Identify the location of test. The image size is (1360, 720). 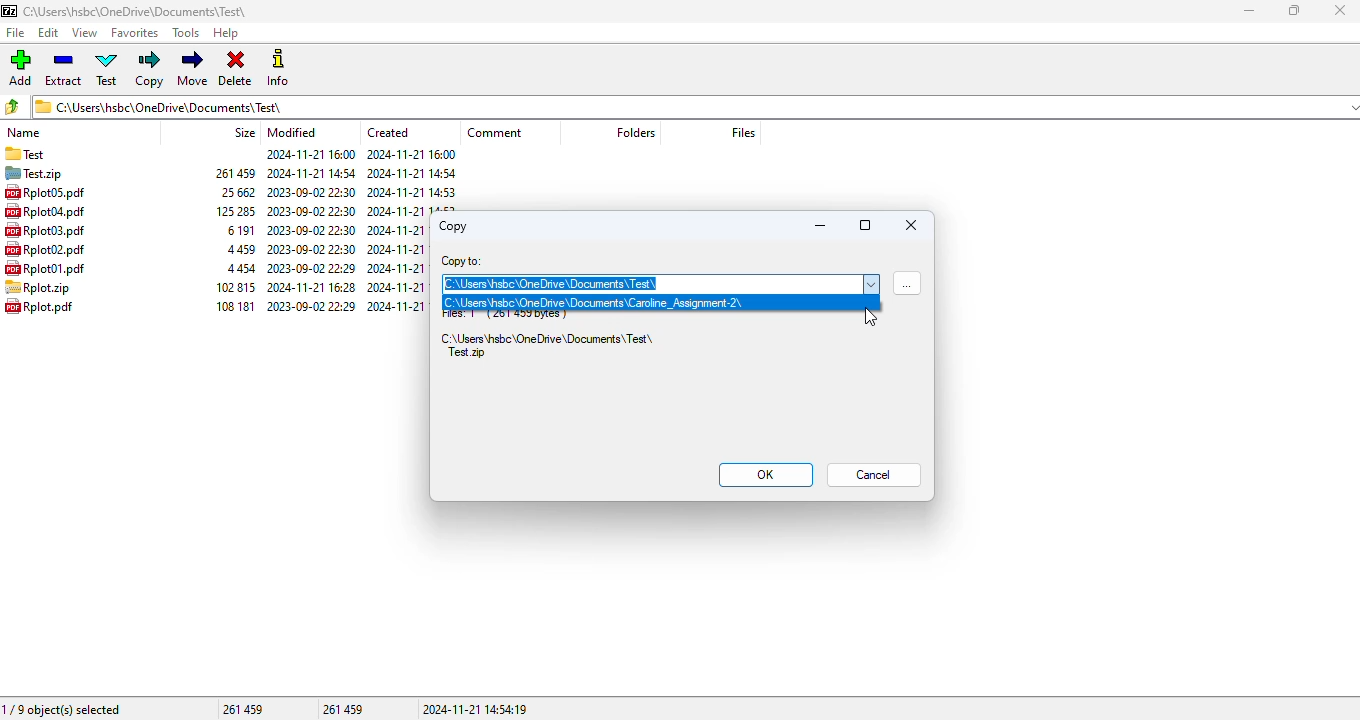
(107, 70).